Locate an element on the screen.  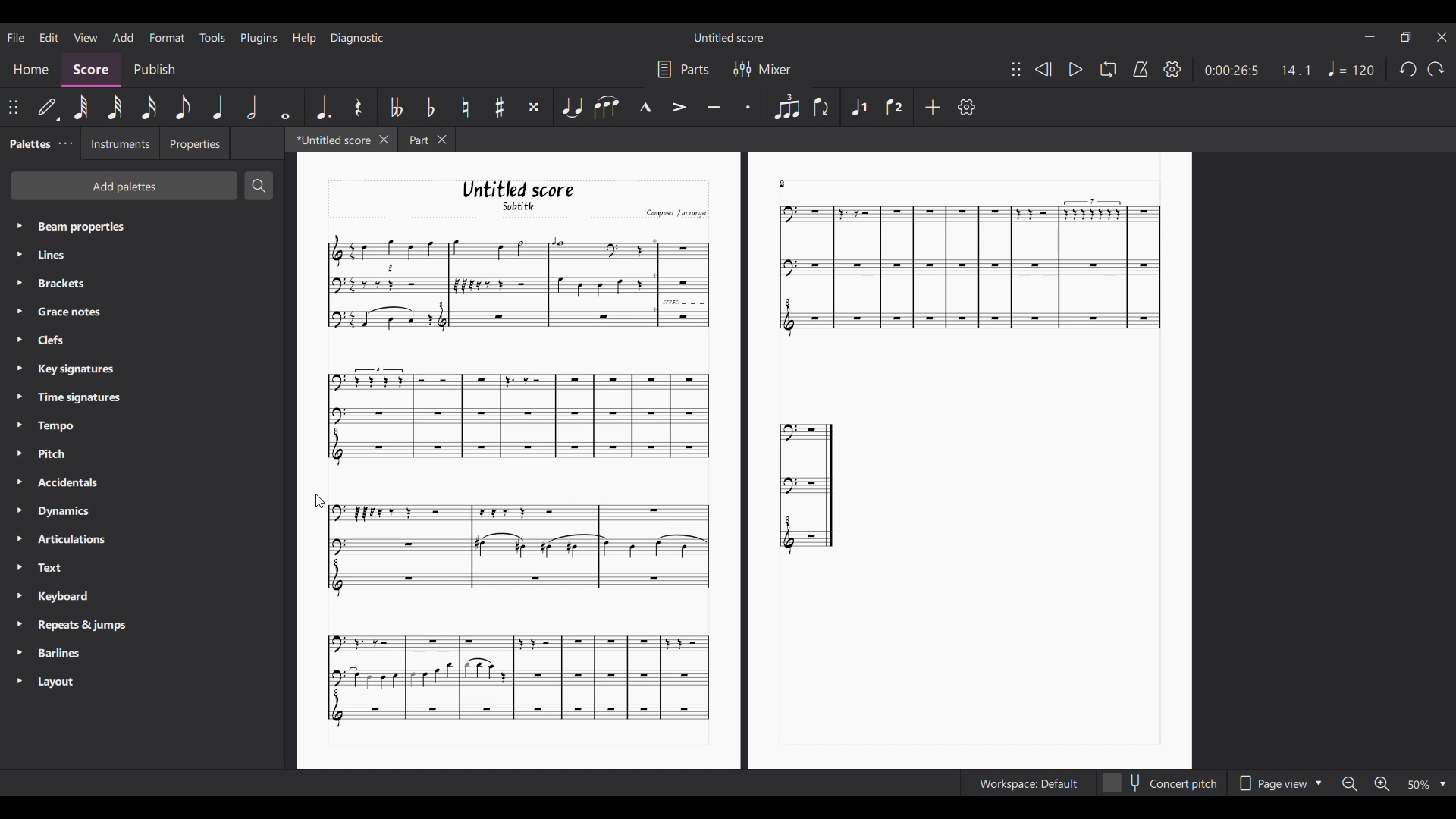
Play is located at coordinates (1076, 69).